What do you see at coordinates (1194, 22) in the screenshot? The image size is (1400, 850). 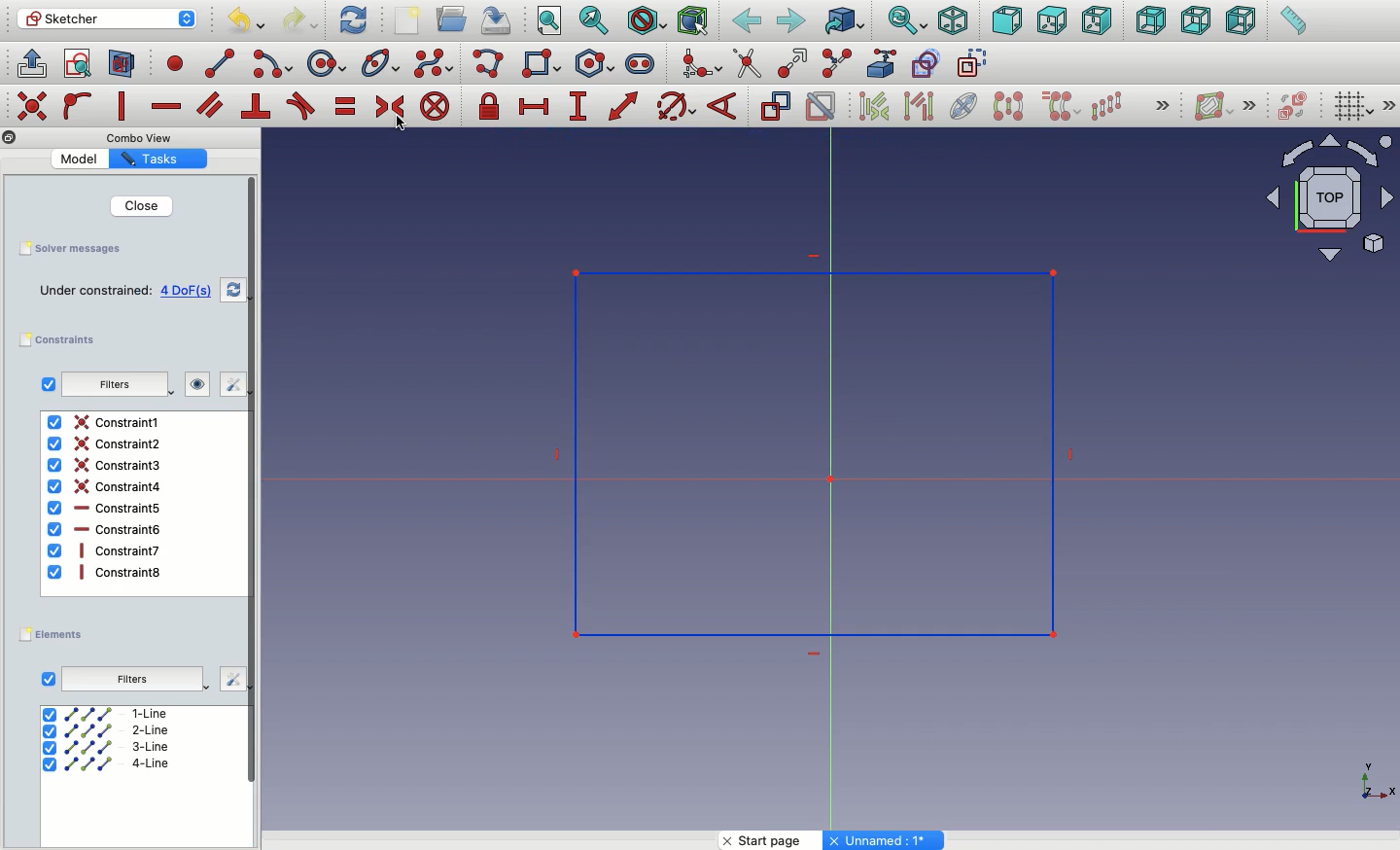 I see `Bottom` at bounding box center [1194, 22].